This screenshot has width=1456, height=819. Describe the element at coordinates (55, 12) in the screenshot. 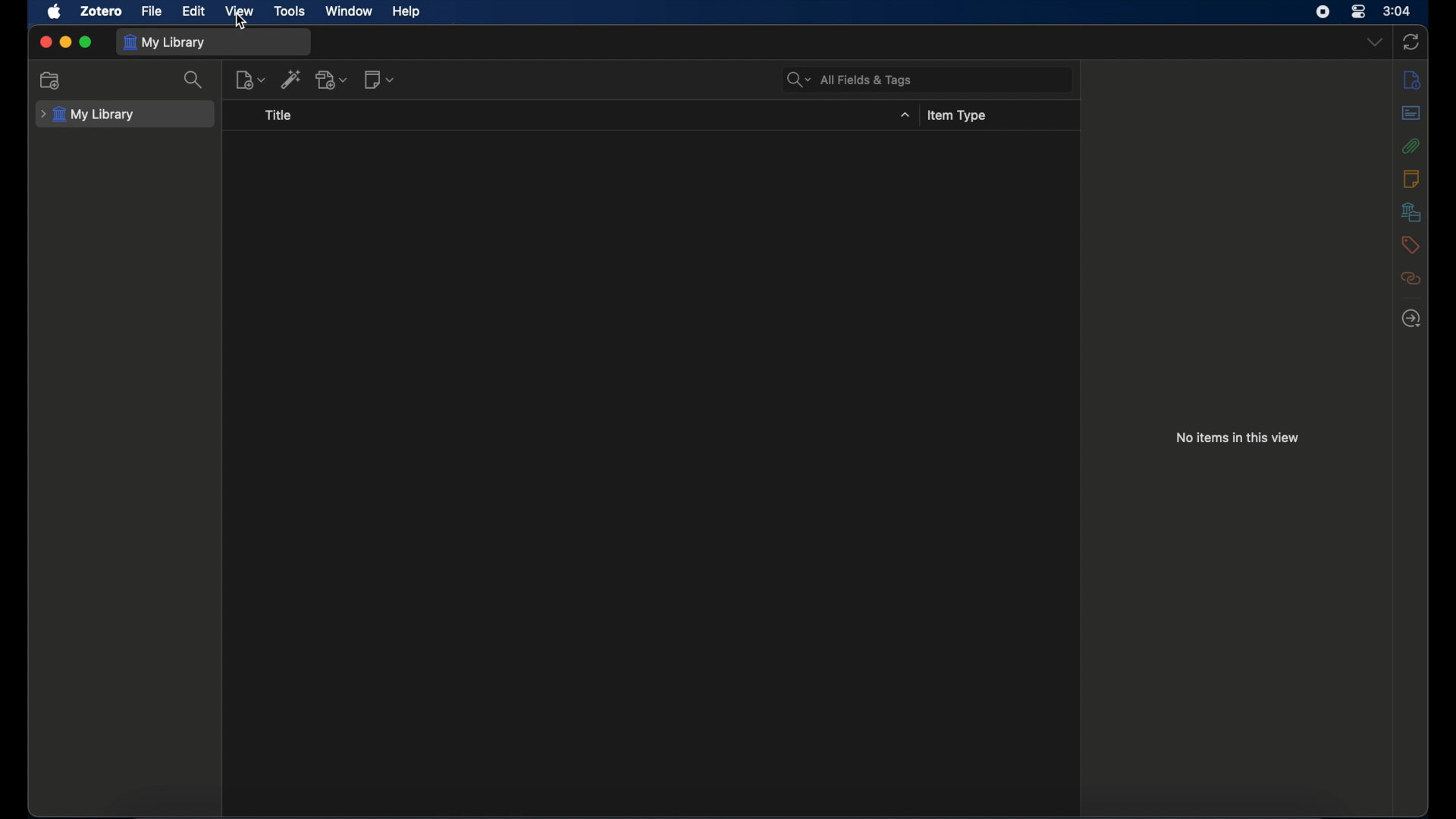

I see `apple icon` at that location.